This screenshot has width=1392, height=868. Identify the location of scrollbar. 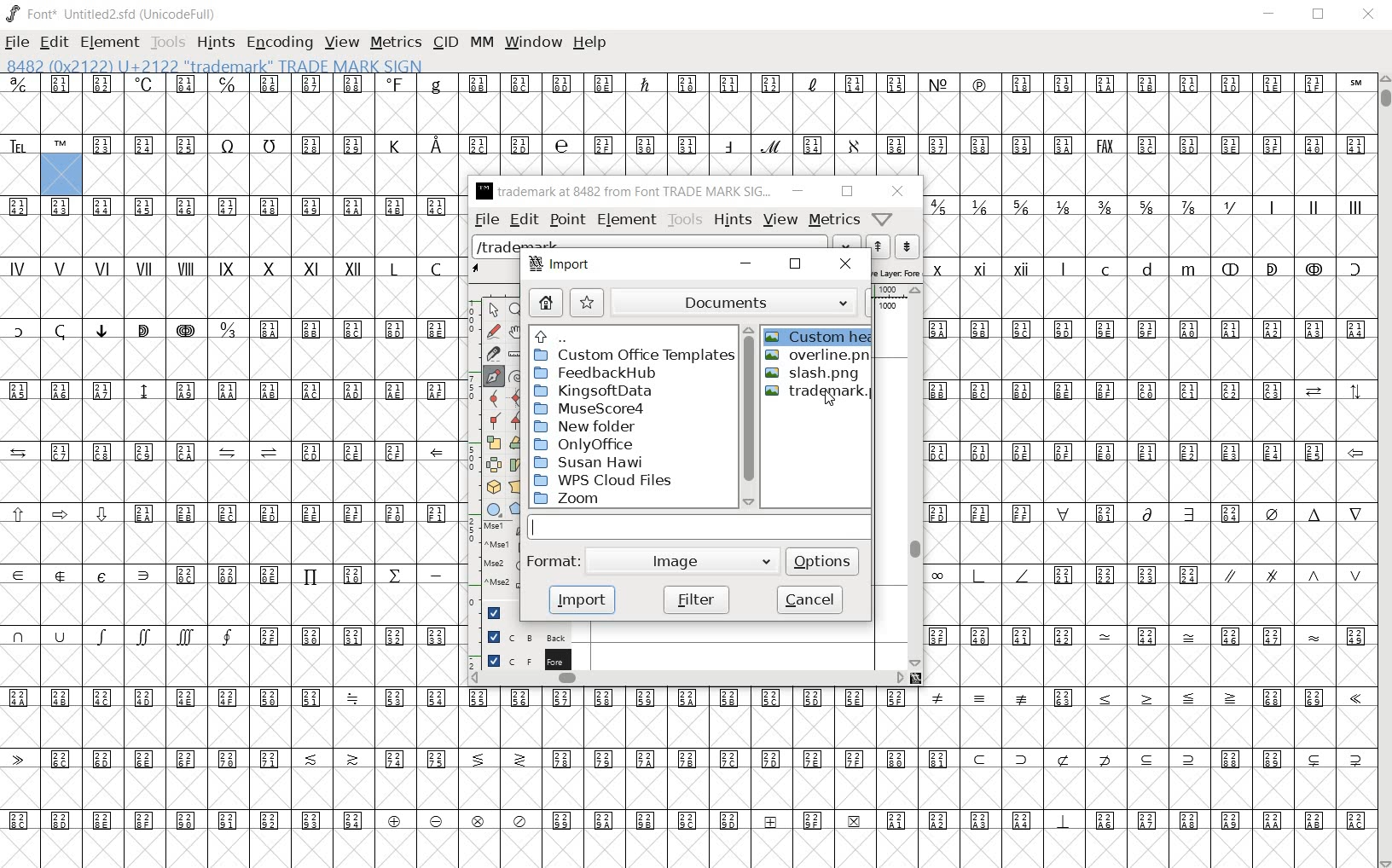
(747, 417).